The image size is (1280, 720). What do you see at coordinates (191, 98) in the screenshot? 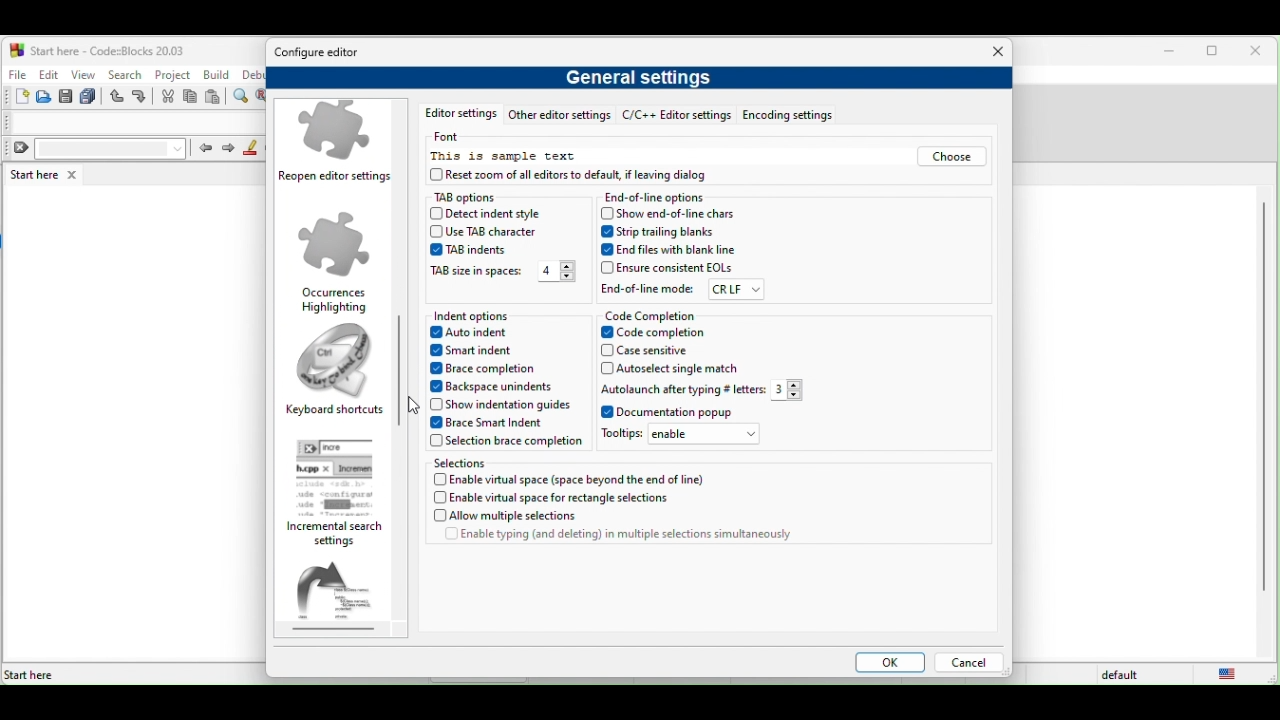
I see `copy` at bounding box center [191, 98].